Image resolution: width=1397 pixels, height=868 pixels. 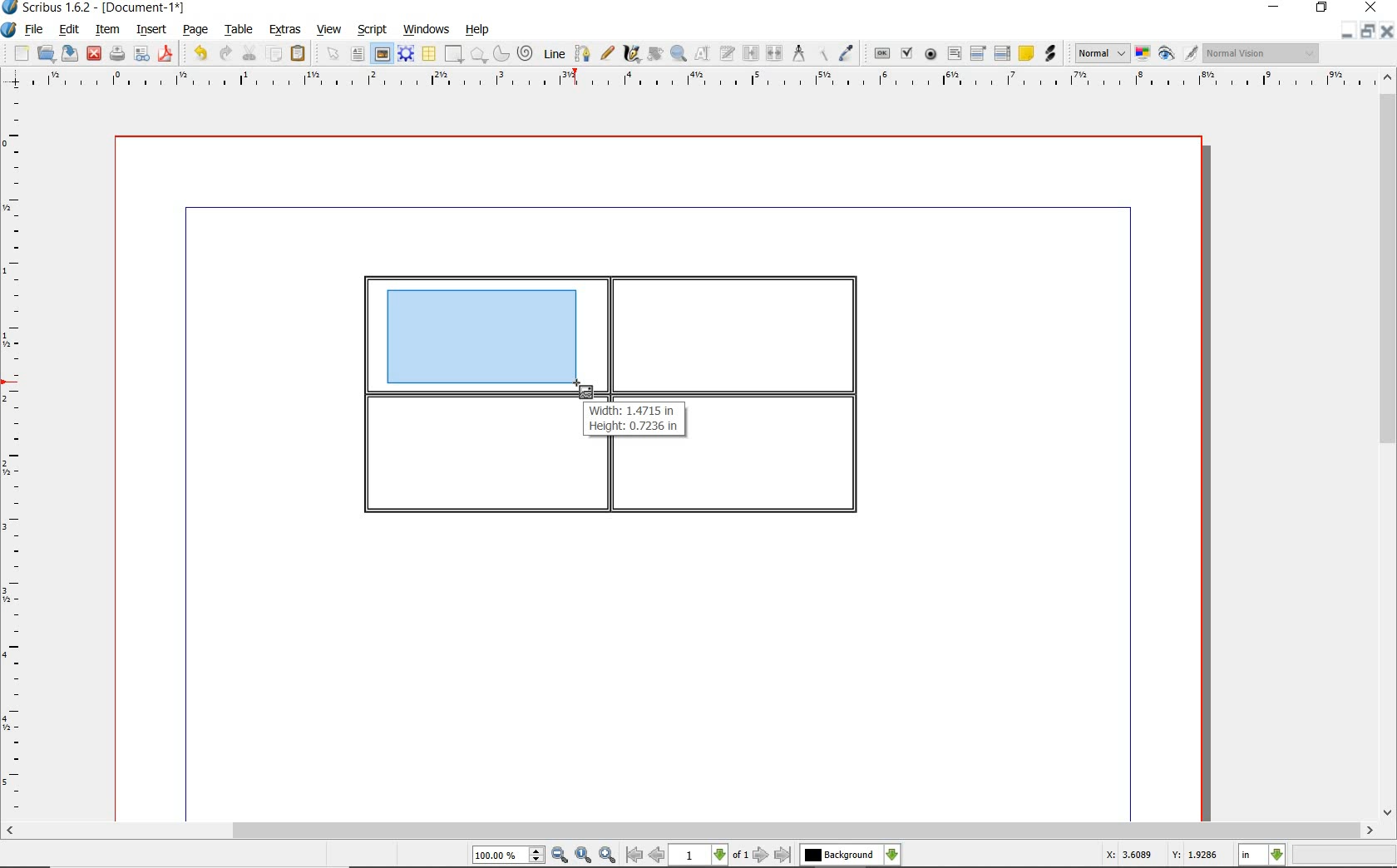 I want to click on item, so click(x=106, y=30).